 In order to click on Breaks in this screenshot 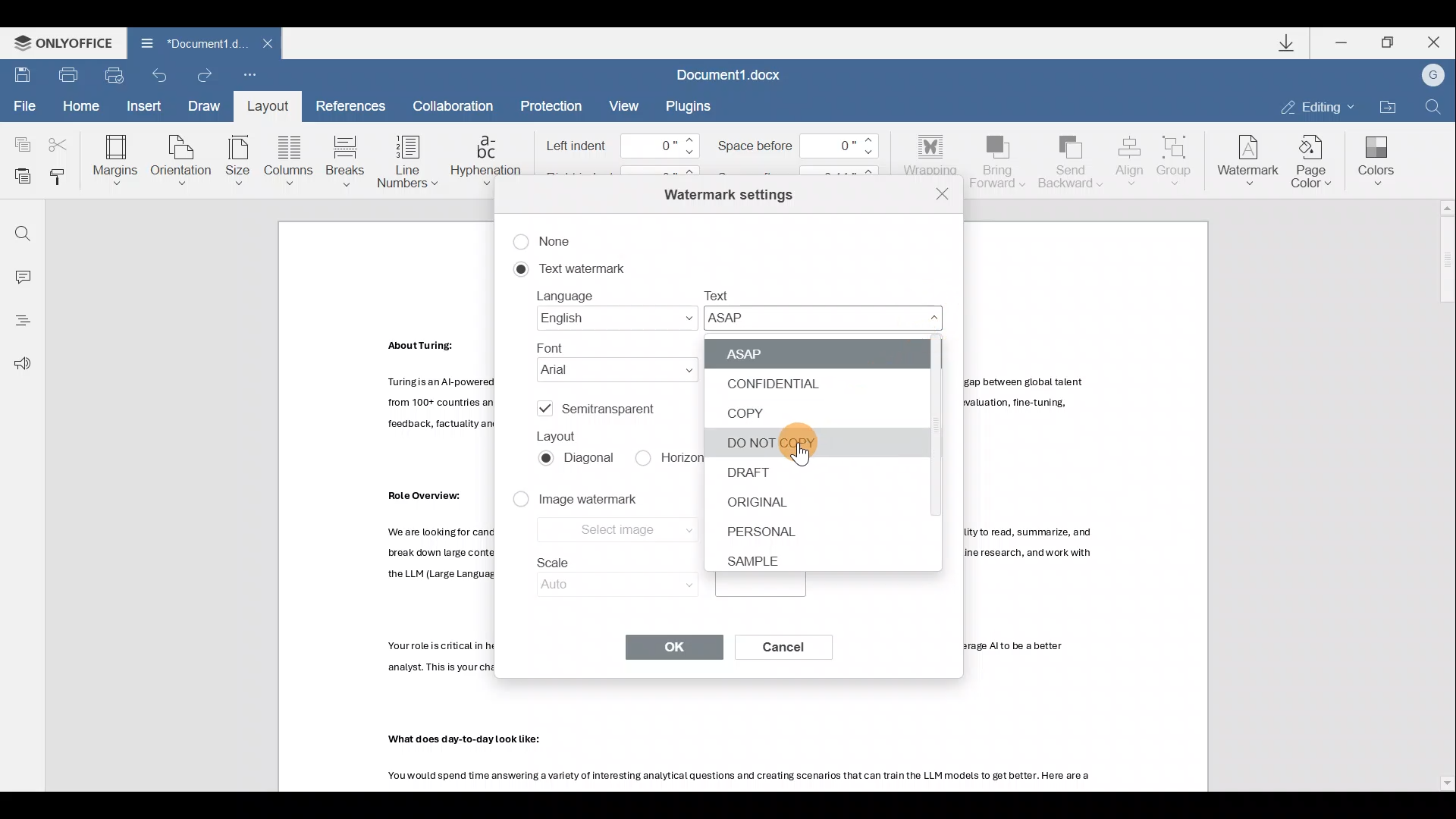, I will do `click(346, 157)`.